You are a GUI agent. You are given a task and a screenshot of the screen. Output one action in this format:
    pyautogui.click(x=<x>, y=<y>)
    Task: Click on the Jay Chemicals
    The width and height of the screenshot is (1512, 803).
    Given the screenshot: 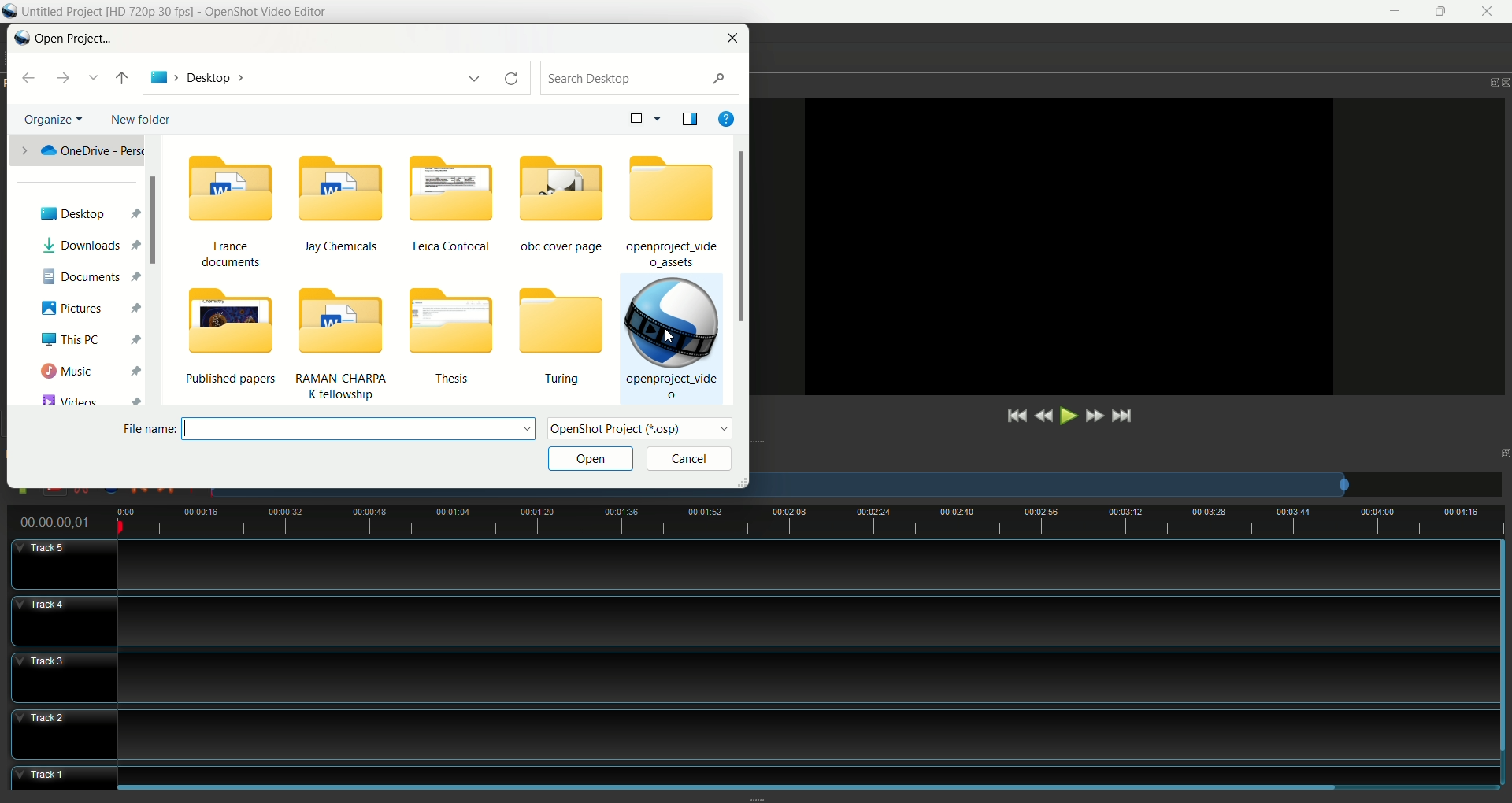 What is the action you would take?
    pyautogui.click(x=344, y=206)
    